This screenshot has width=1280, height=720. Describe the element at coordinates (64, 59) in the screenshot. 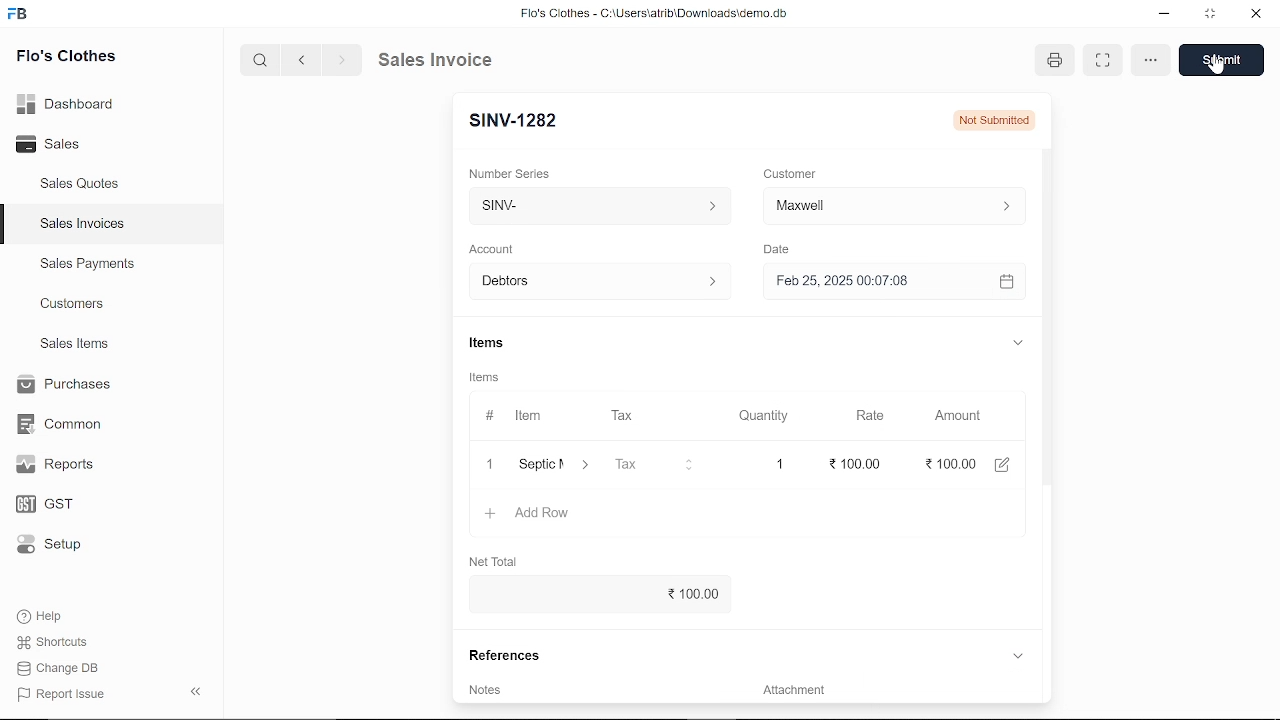

I see `Flo's Clothes` at that location.